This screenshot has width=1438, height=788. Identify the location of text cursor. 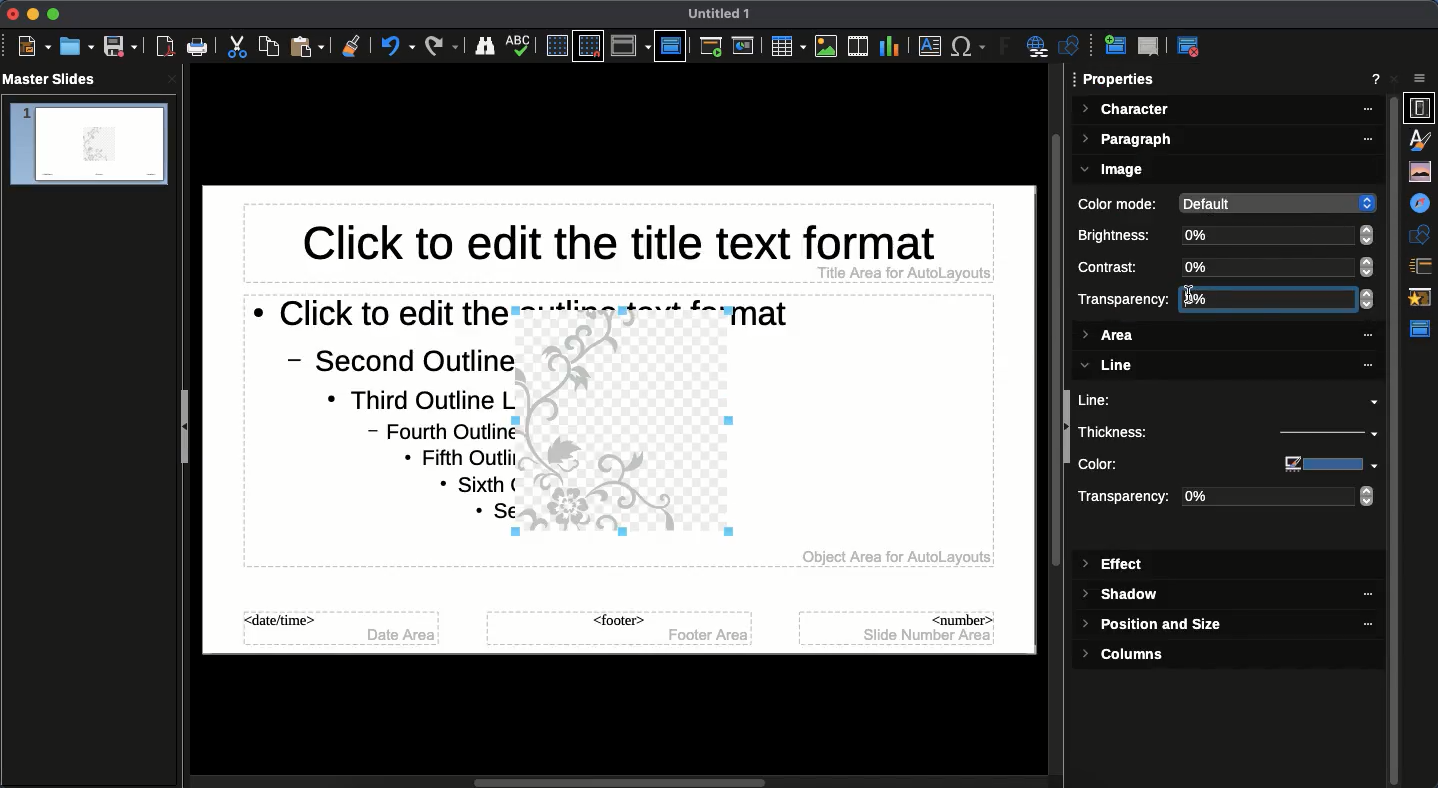
(1195, 303).